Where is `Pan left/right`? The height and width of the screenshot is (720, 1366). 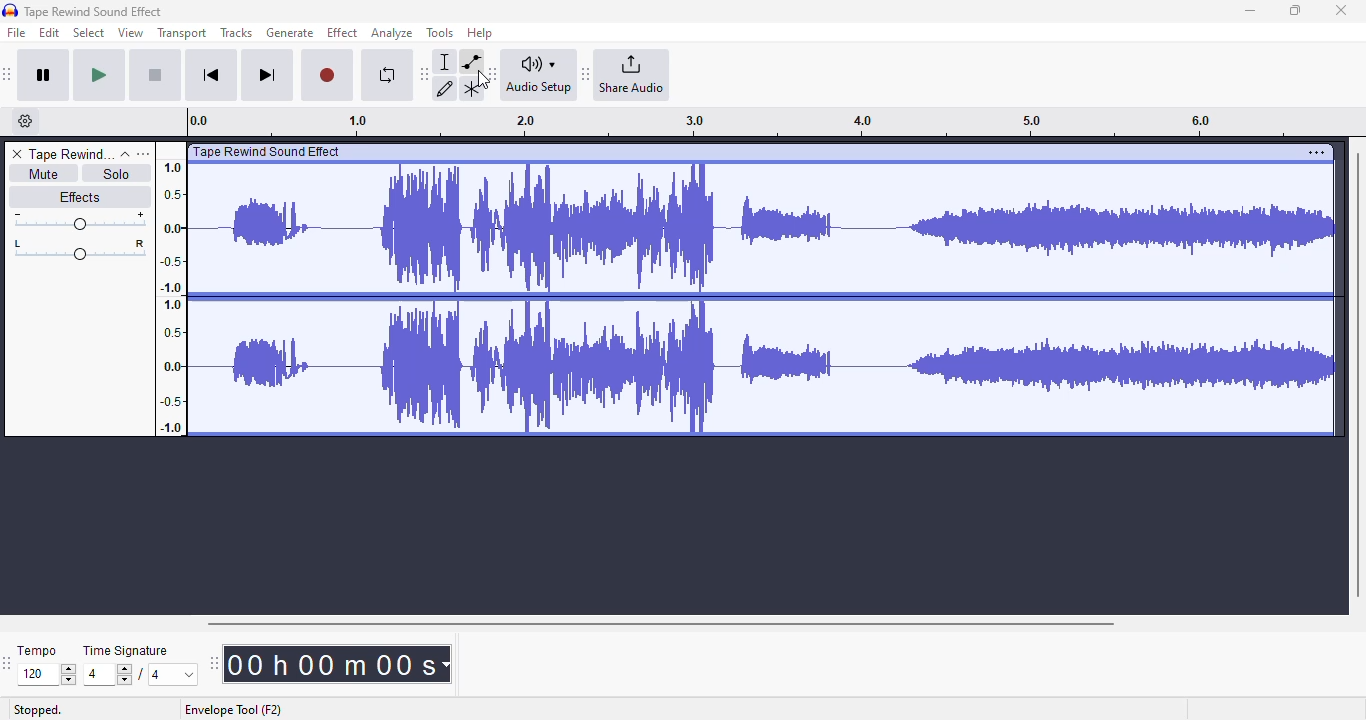 Pan left/right is located at coordinates (80, 250).